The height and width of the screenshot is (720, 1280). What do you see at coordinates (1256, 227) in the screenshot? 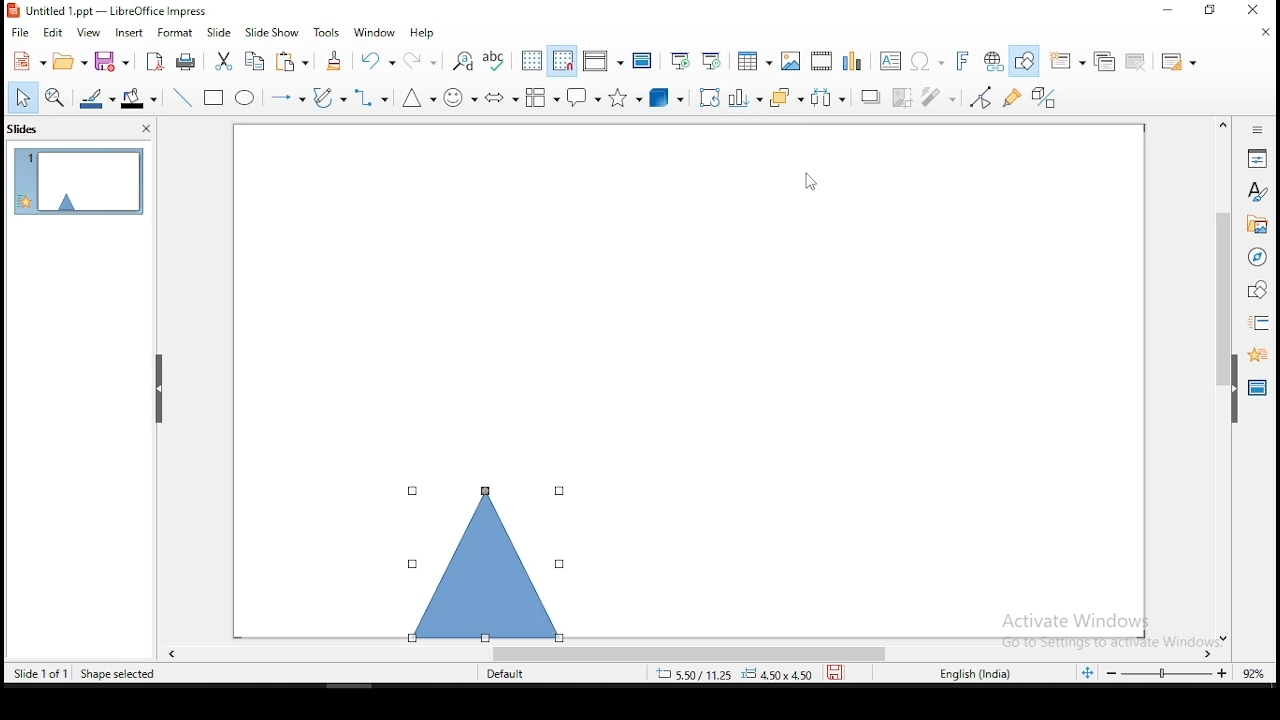
I see `gallery` at bounding box center [1256, 227].